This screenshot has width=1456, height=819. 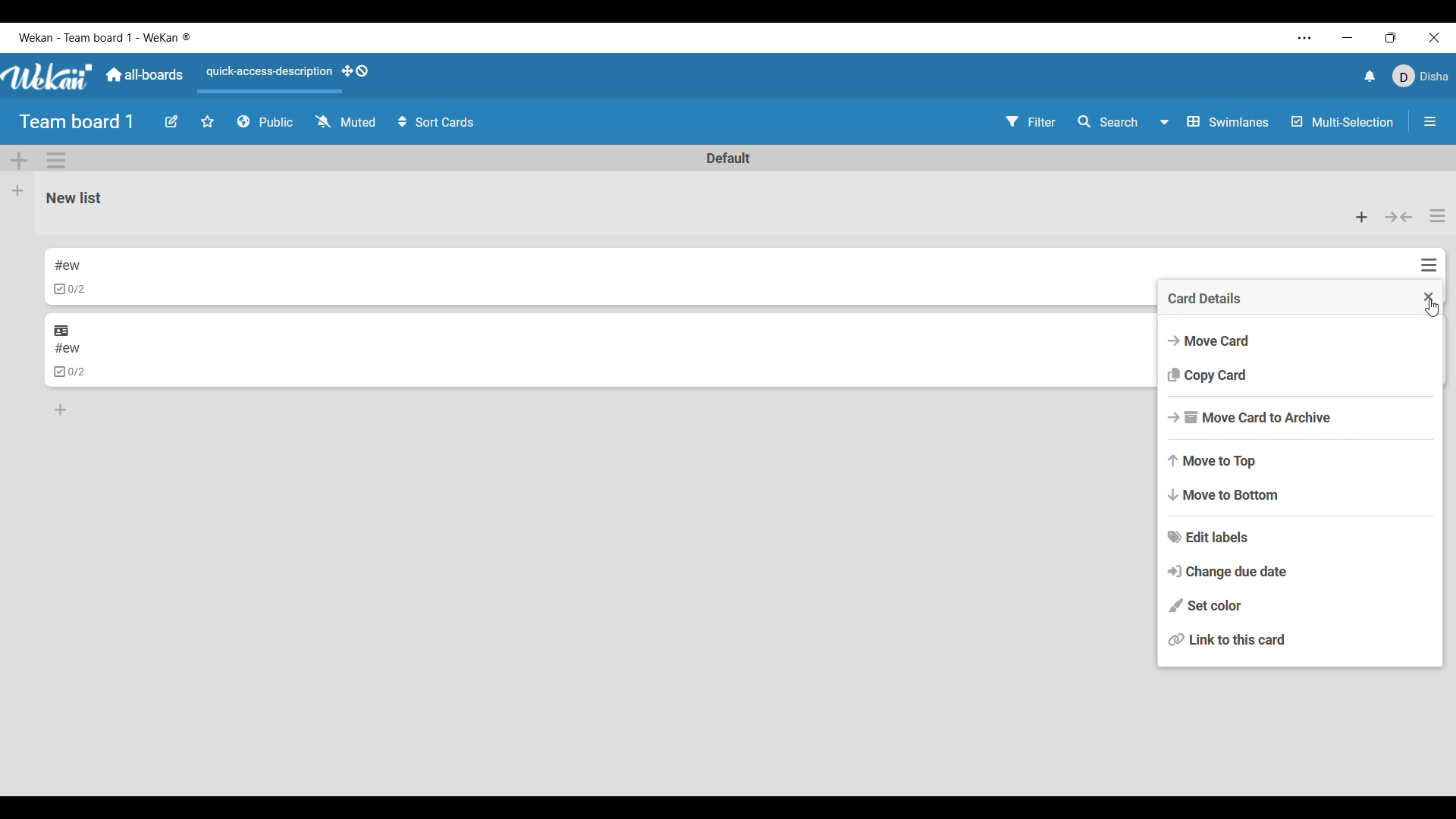 What do you see at coordinates (265, 122) in the screenshot?
I see `Board privacy options` at bounding box center [265, 122].